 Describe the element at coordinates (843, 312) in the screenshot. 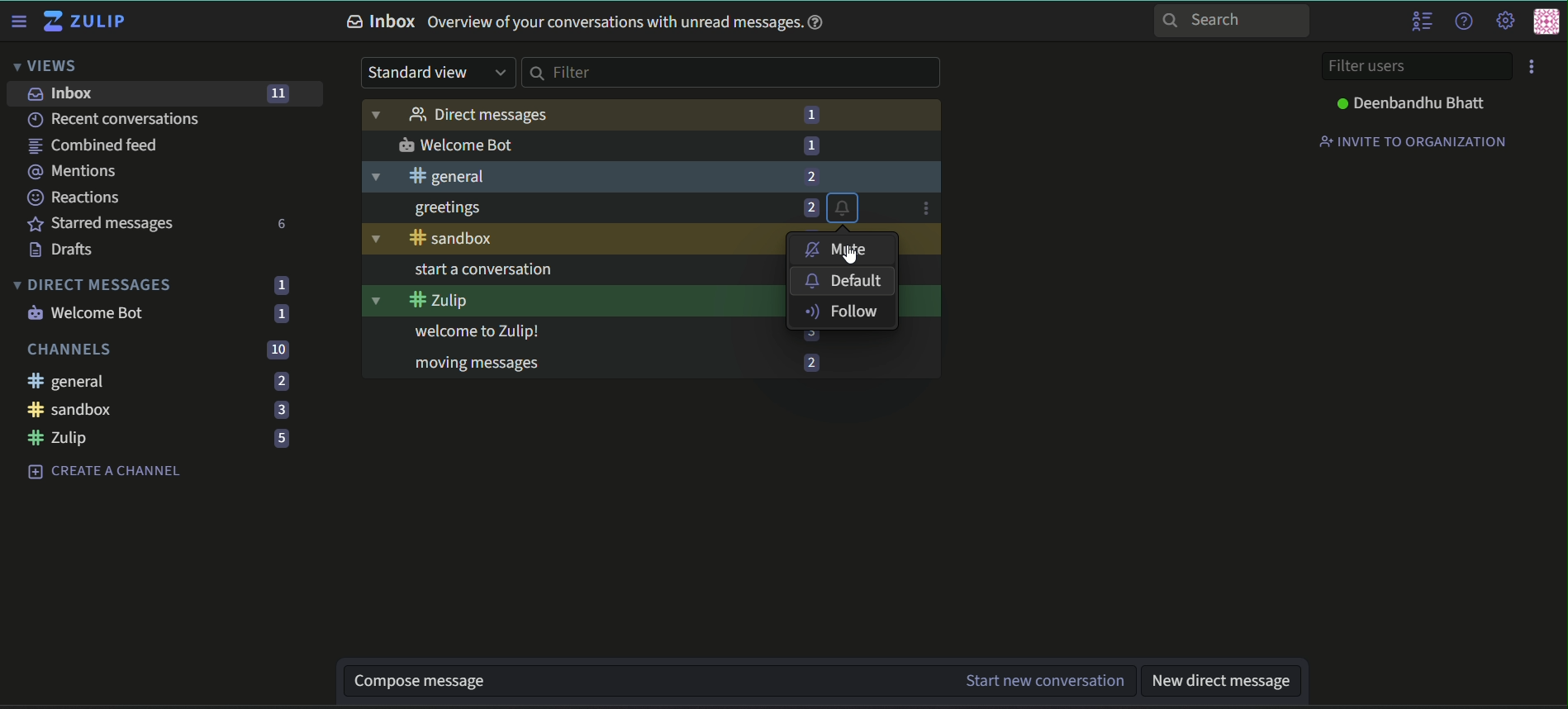

I see `follow` at that location.